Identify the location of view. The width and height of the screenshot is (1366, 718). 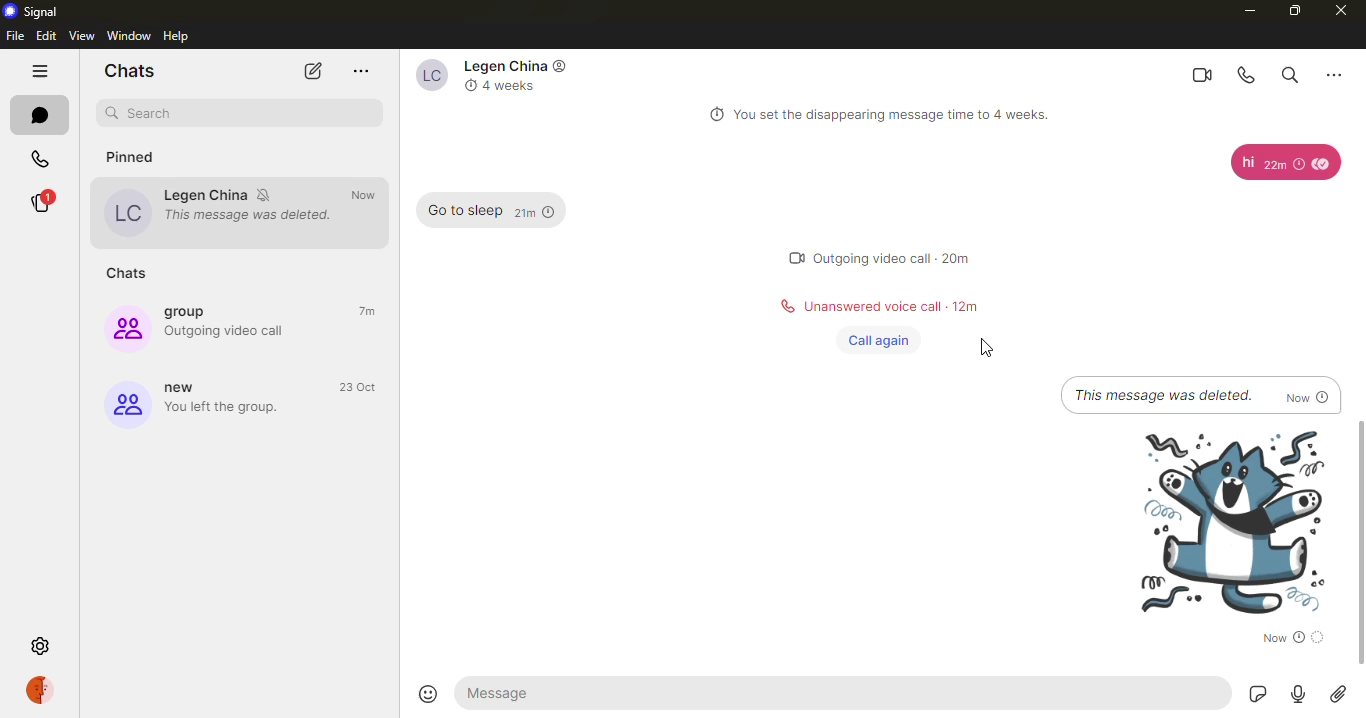
(82, 35).